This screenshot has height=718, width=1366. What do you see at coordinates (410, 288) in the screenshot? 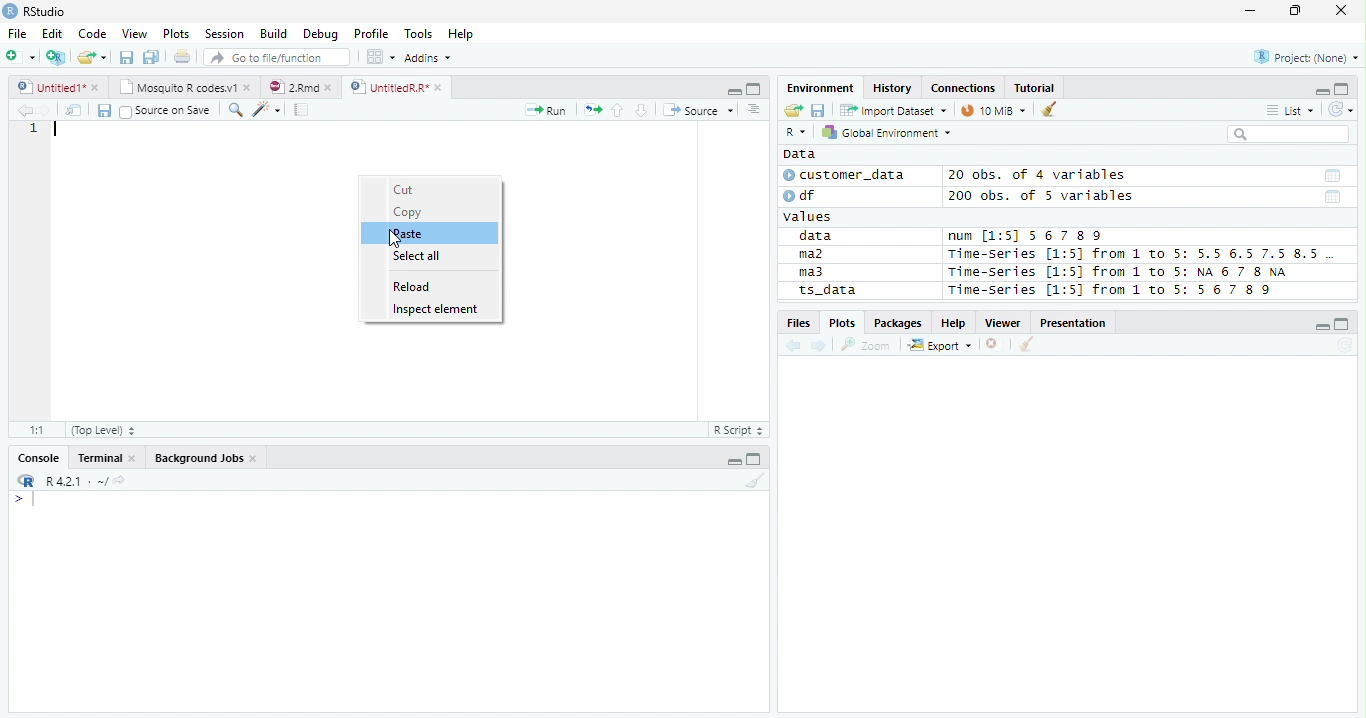
I see `Reload` at bounding box center [410, 288].